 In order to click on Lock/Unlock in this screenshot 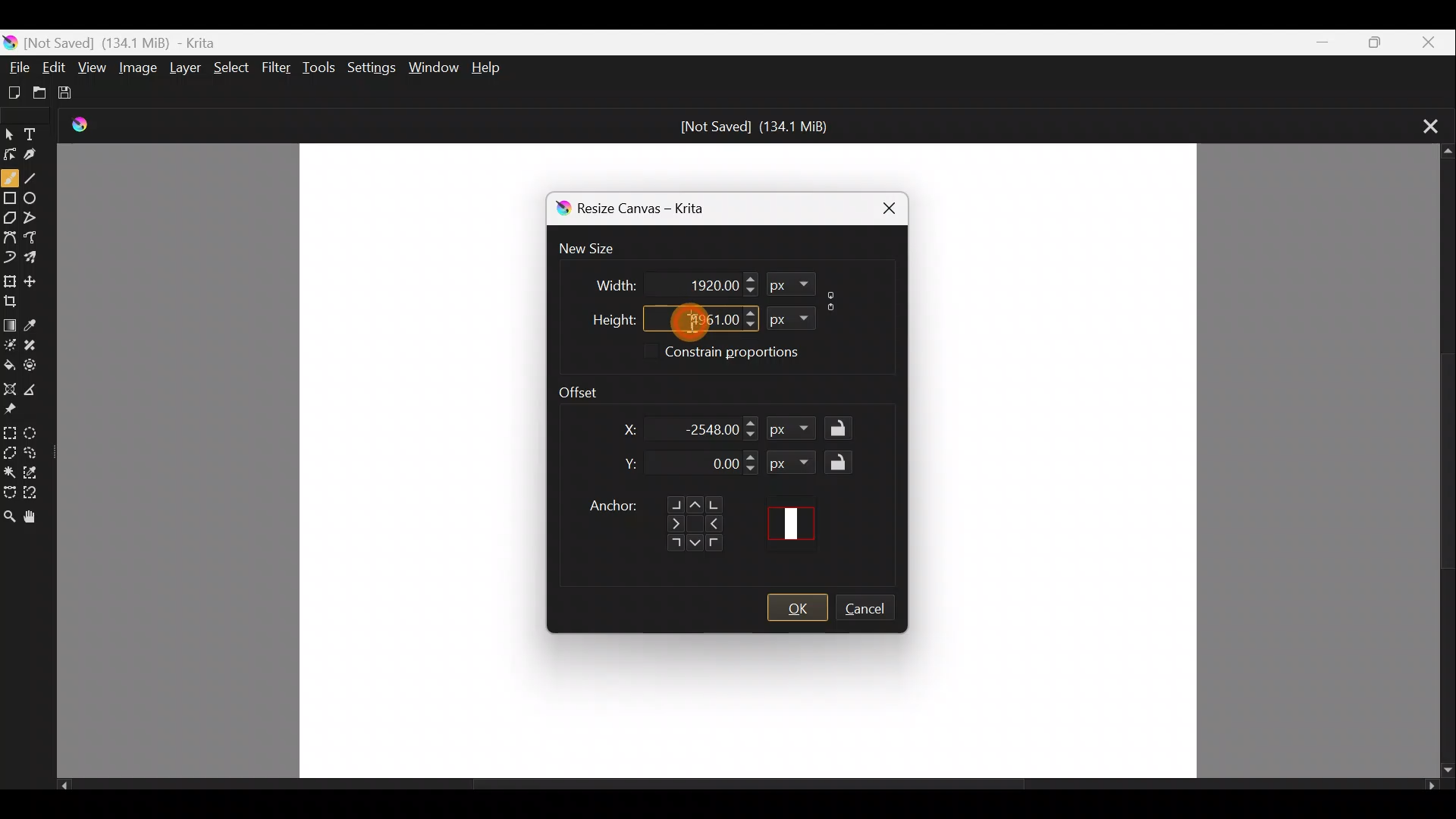, I will do `click(843, 462)`.